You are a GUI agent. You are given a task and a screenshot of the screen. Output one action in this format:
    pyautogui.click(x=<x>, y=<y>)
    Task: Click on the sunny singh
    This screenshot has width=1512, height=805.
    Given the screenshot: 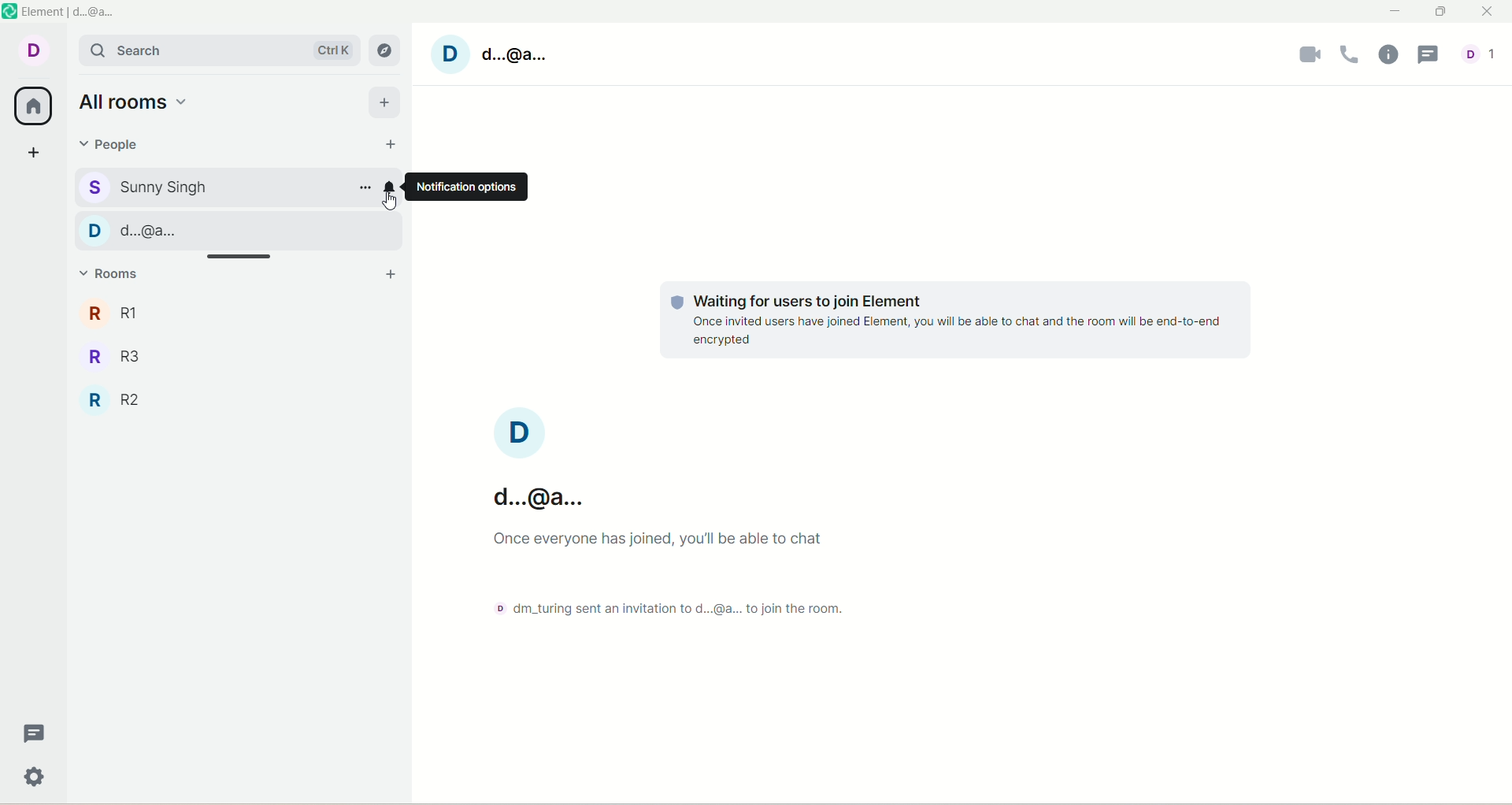 What is the action you would take?
    pyautogui.click(x=213, y=187)
    